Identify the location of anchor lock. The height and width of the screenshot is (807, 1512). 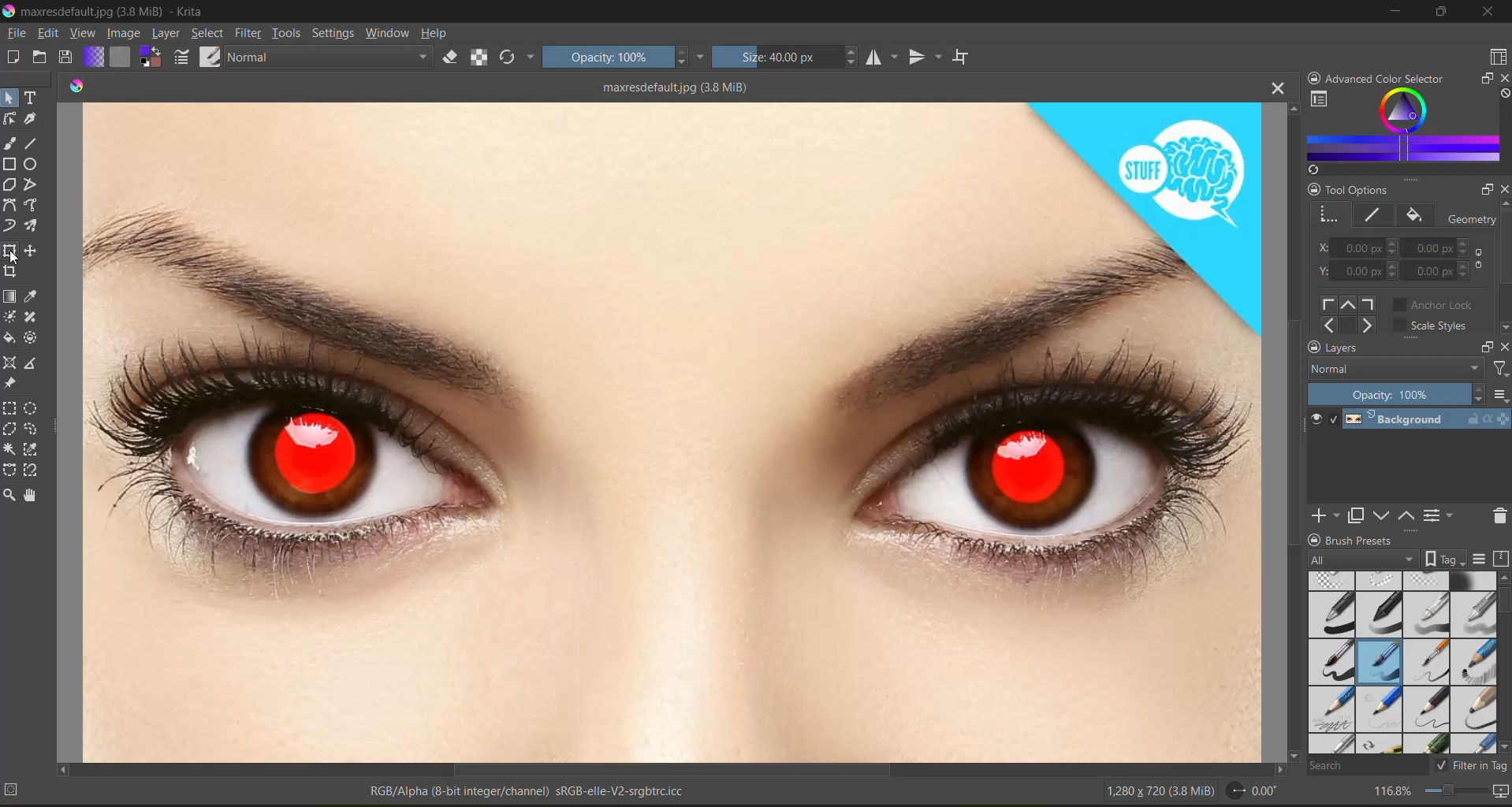
(1434, 306).